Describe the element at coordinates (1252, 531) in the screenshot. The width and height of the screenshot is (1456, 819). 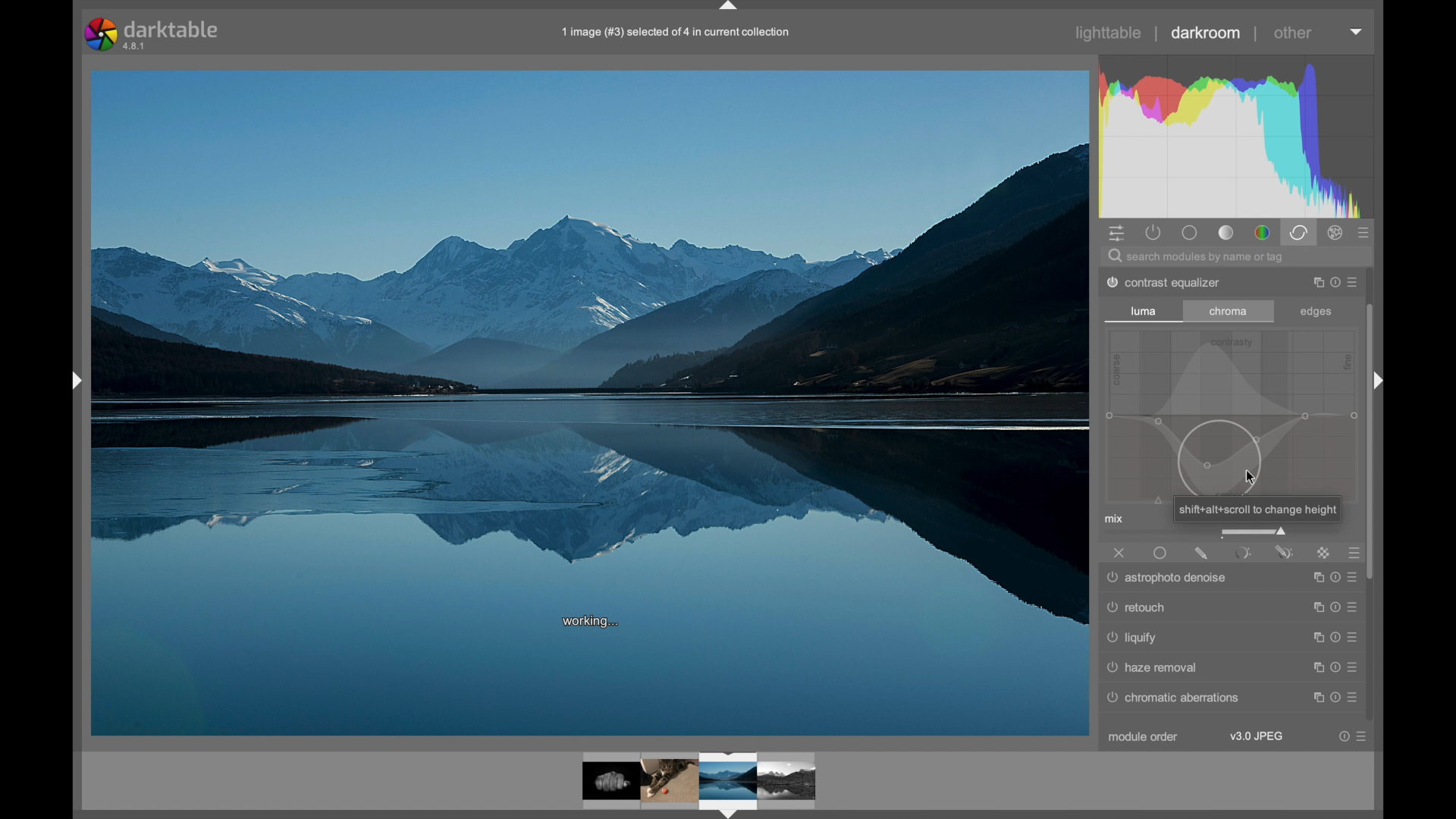
I see `slider` at that location.